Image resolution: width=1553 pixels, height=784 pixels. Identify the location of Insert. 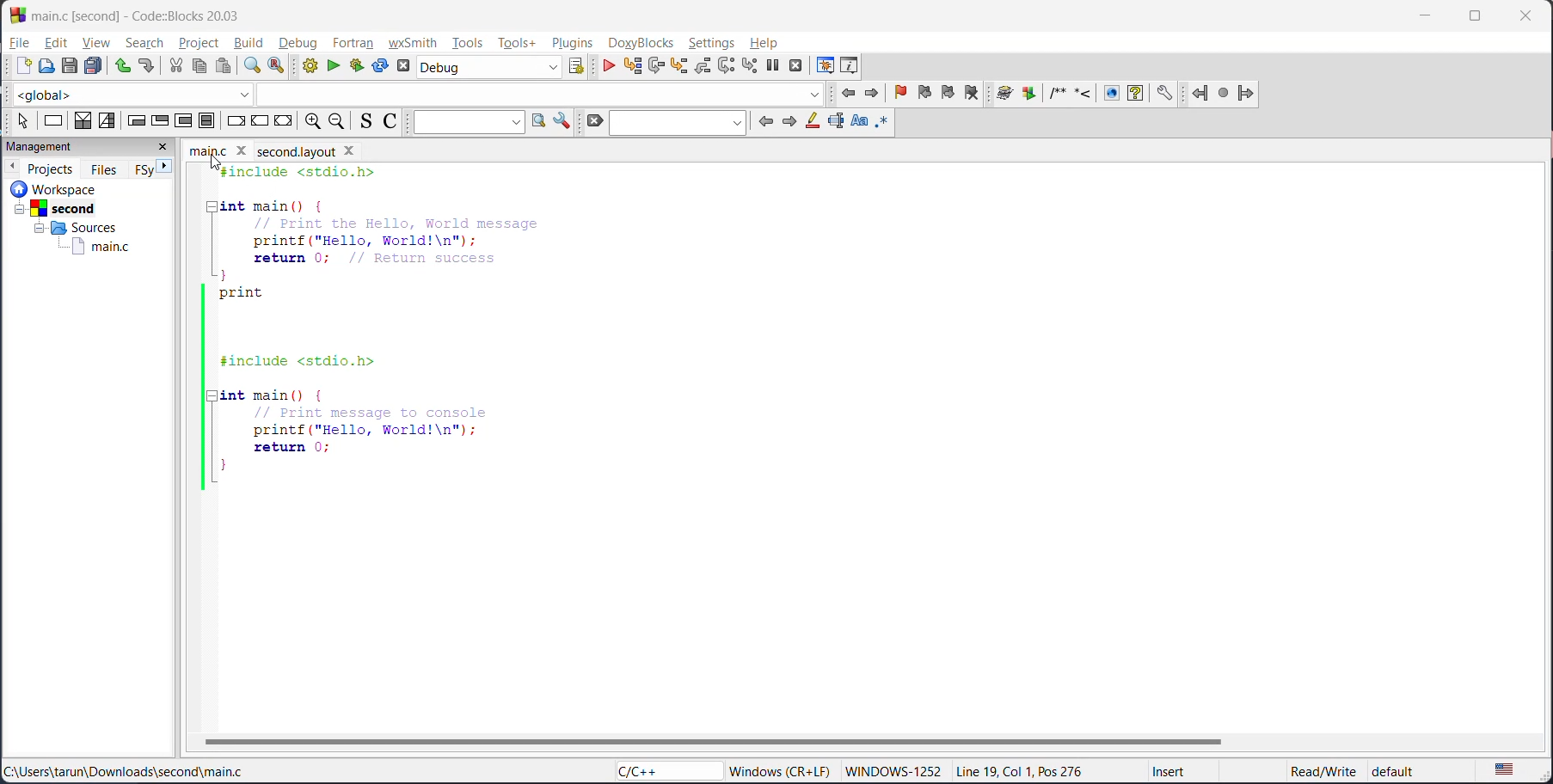
(1172, 770).